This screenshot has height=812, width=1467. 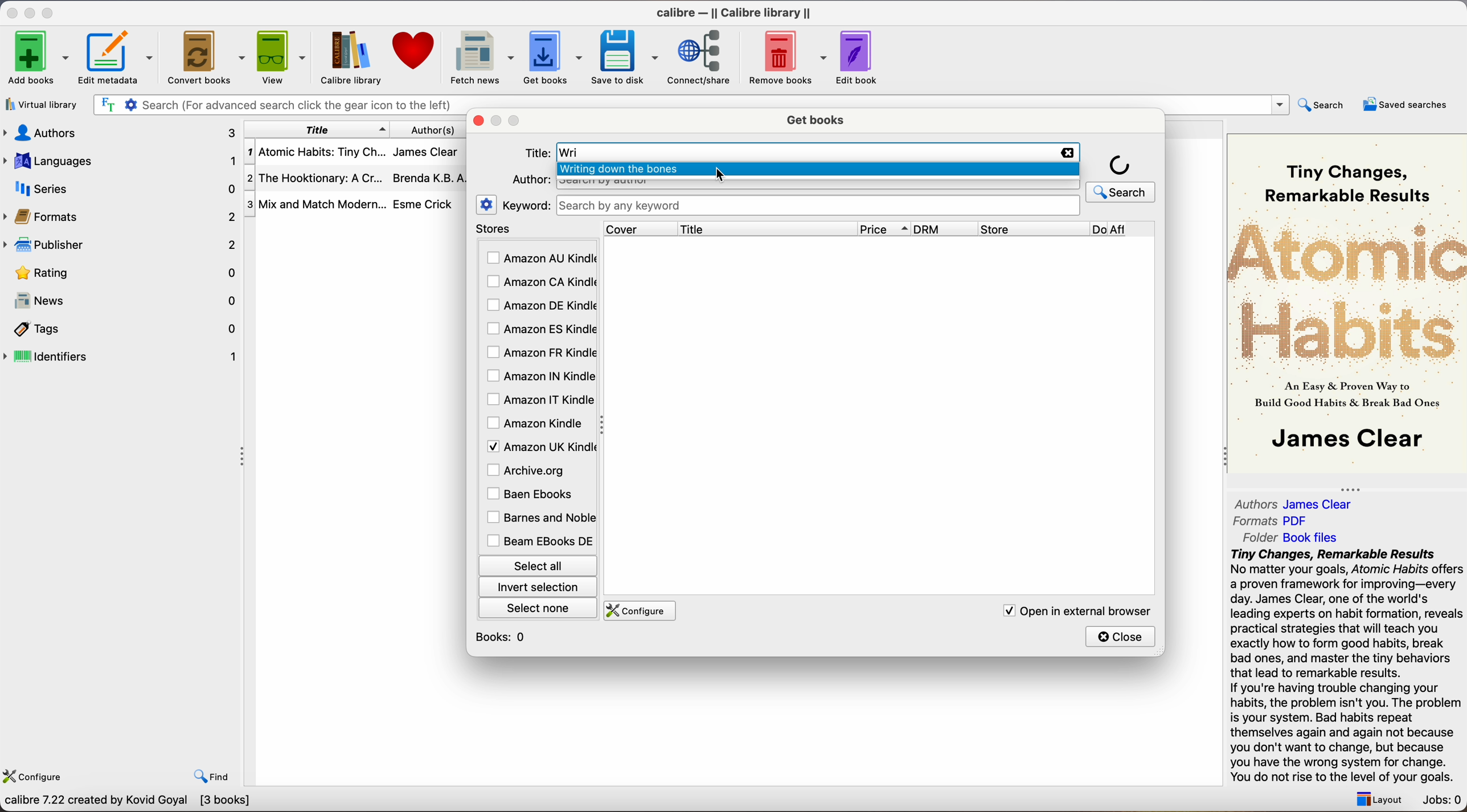 I want to click on Authors James Clear, so click(x=1294, y=505).